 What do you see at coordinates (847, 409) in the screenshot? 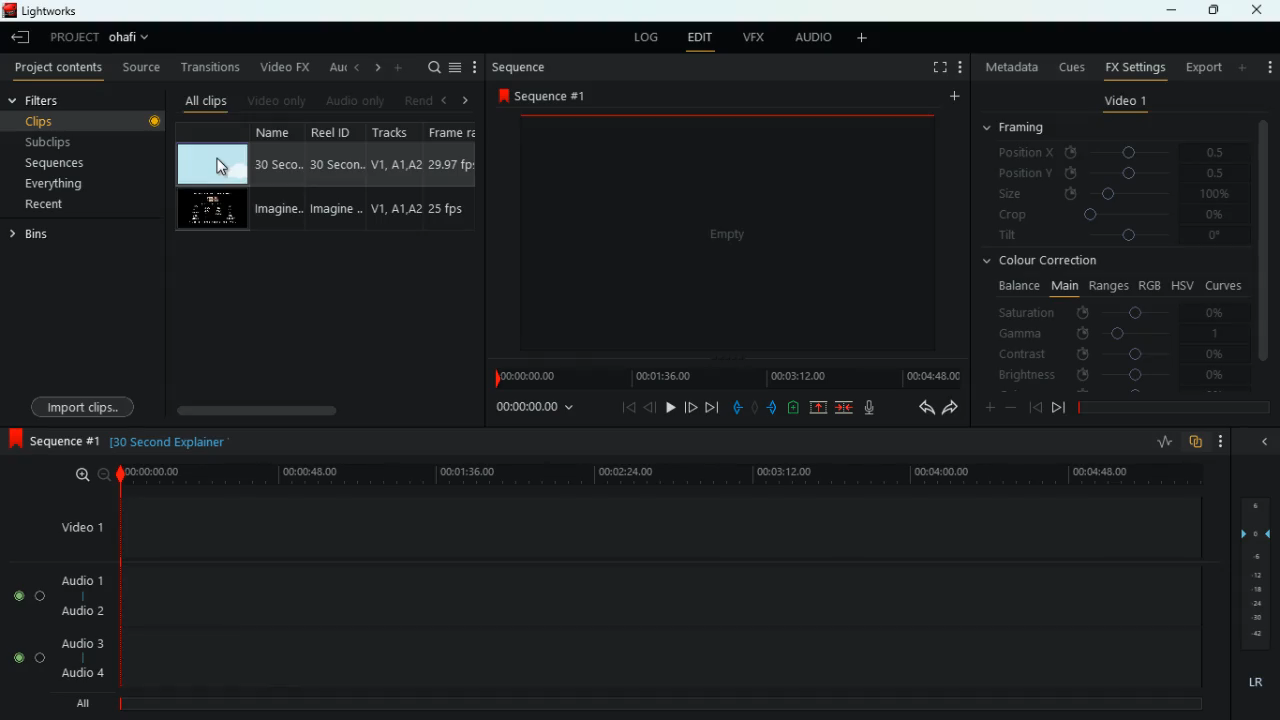
I see `merge` at bounding box center [847, 409].